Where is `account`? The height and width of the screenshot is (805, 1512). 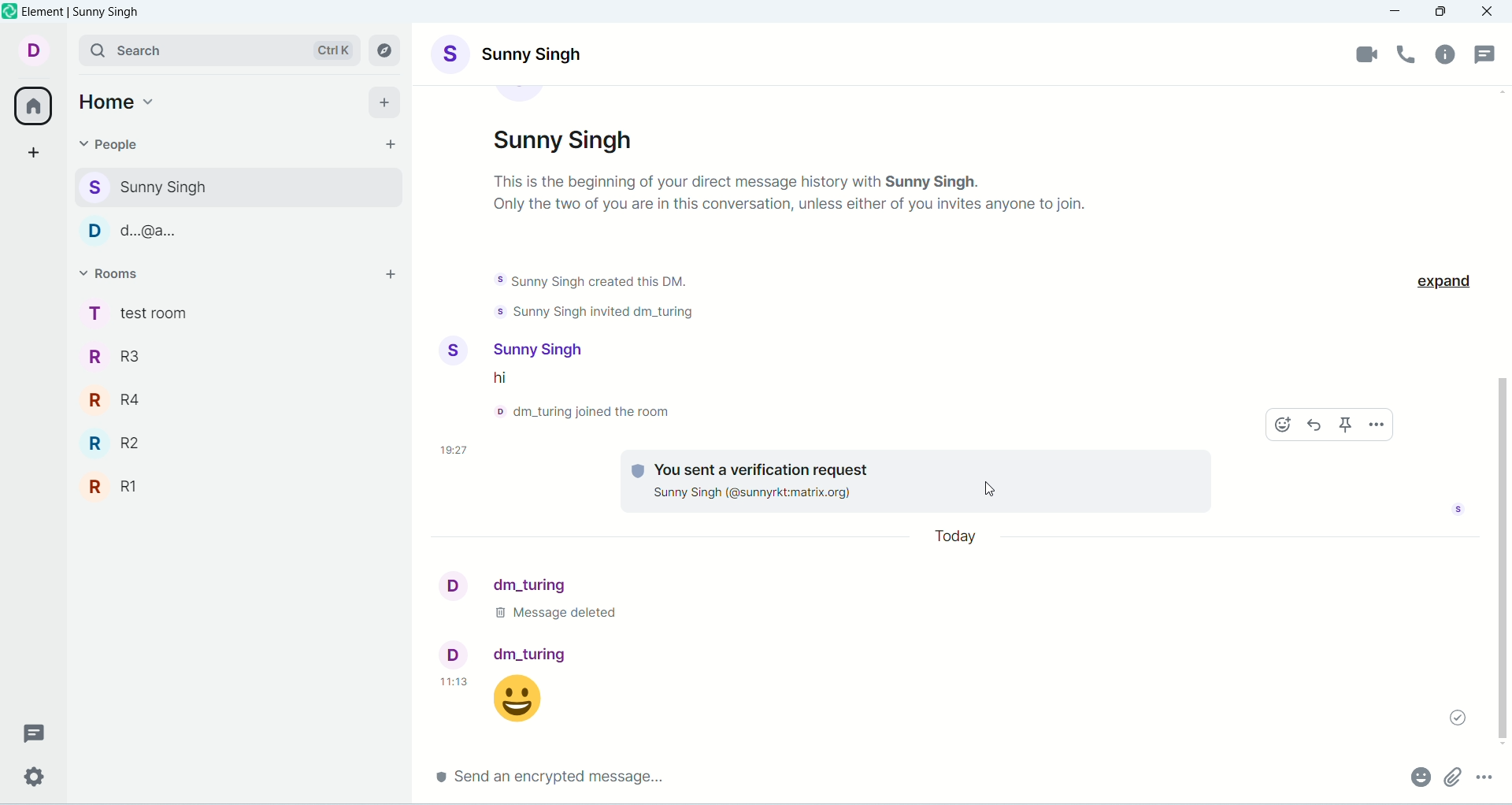 account is located at coordinates (510, 53).